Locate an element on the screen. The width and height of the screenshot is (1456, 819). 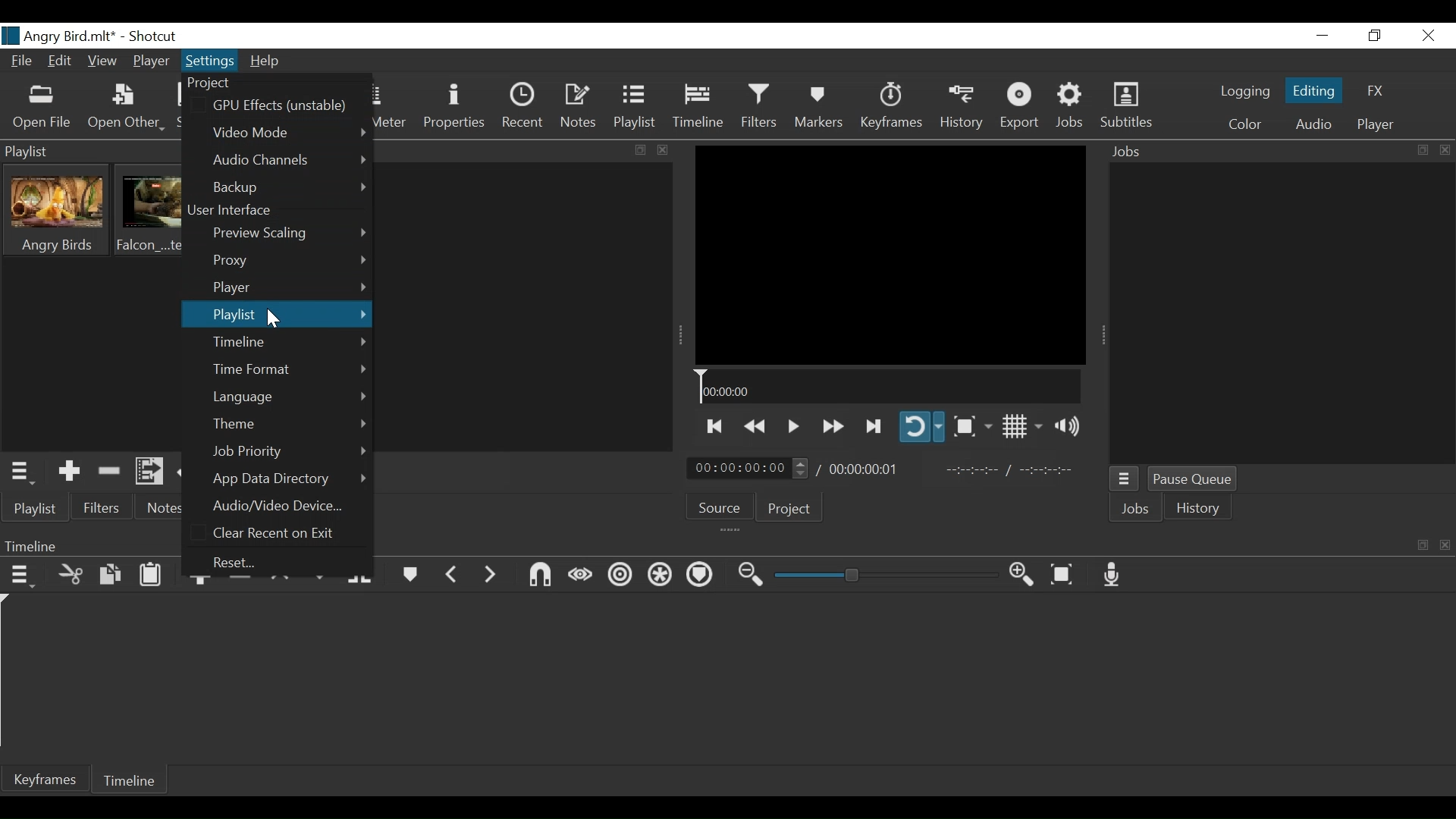
Split at playhead is located at coordinates (361, 577).